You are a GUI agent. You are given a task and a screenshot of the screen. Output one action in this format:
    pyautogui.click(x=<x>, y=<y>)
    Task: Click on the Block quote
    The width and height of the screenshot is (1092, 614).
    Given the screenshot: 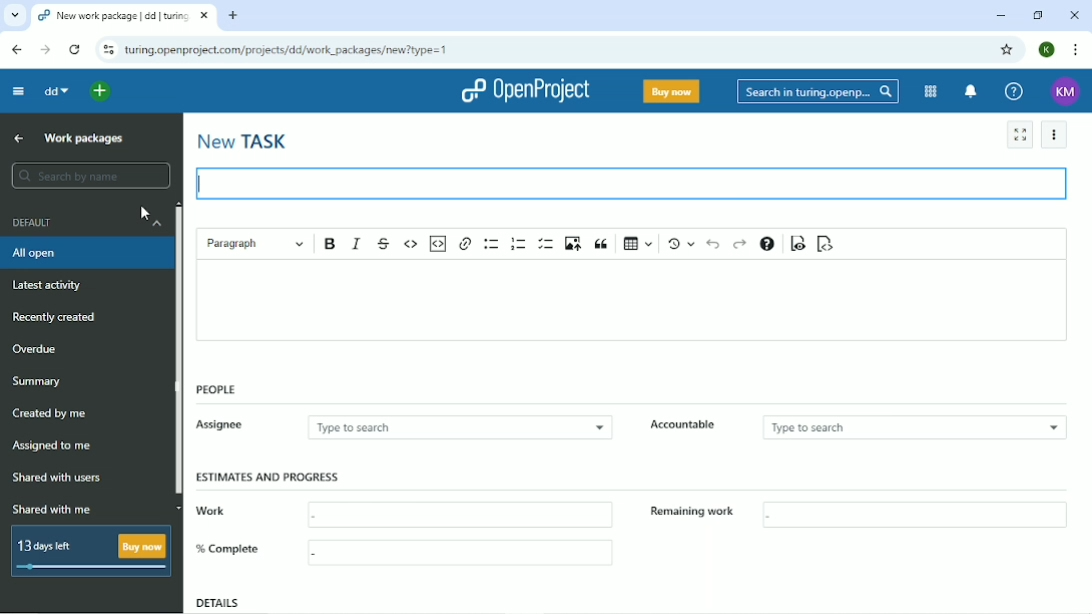 What is the action you would take?
    pyautogui.click(x=601, y=245)
    